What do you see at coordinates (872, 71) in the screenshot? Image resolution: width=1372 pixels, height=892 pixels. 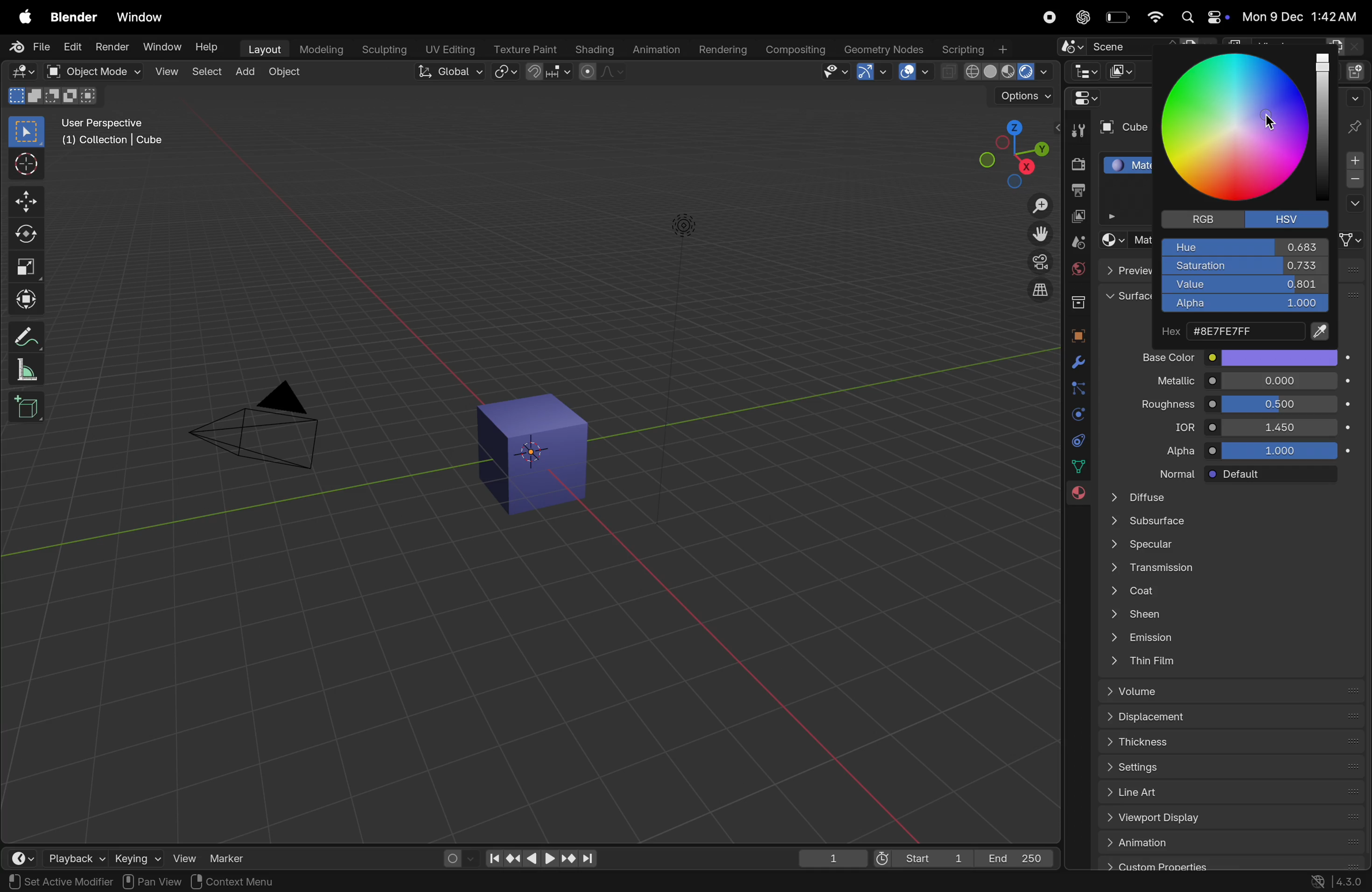 I see `show gimzo` at bounding box center [872, 71].